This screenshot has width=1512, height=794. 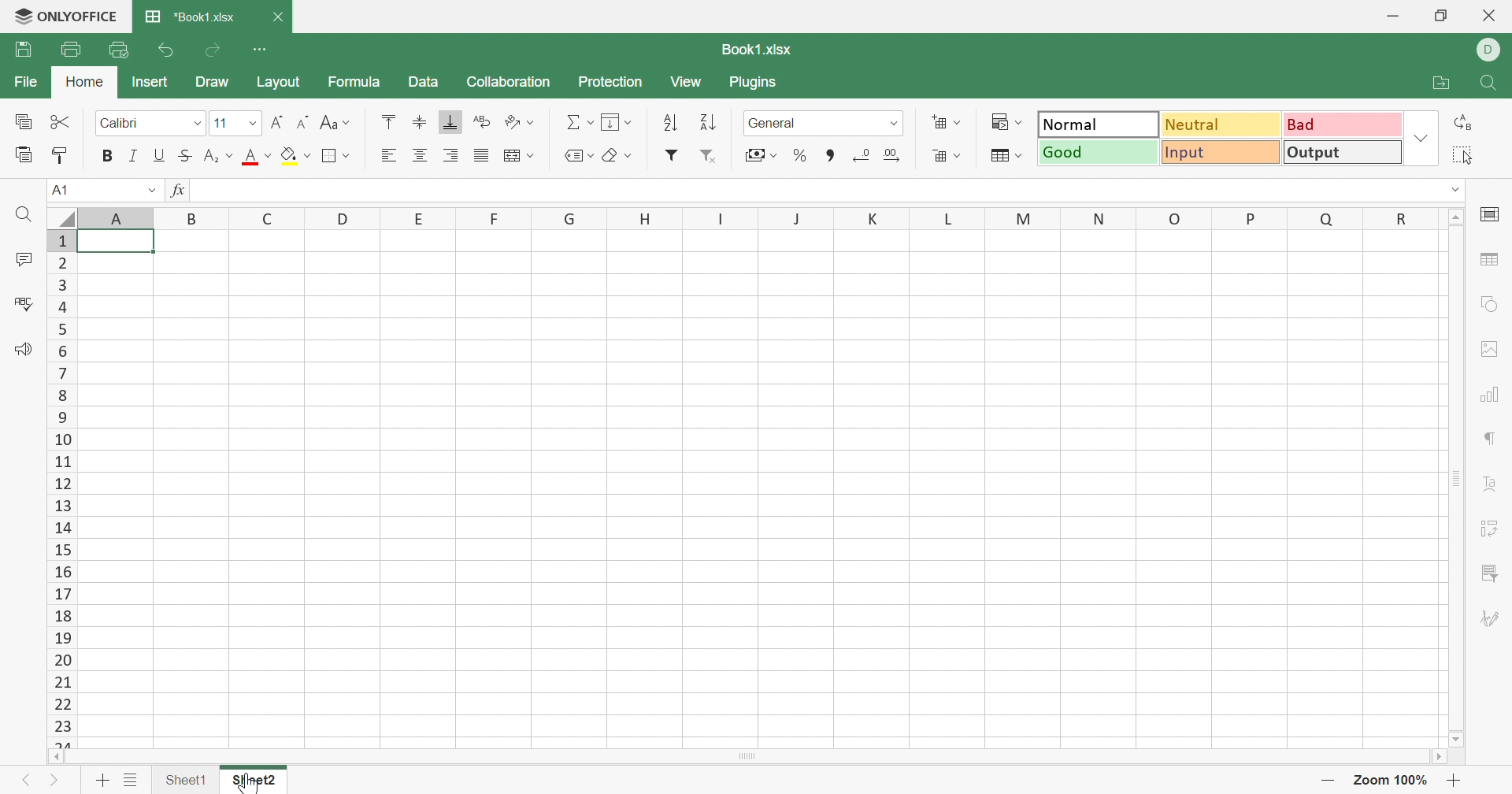 What do you see at coordinates (628, 156) in the screenshot?
I see `Drop Down` at bounding box center [628, 156].